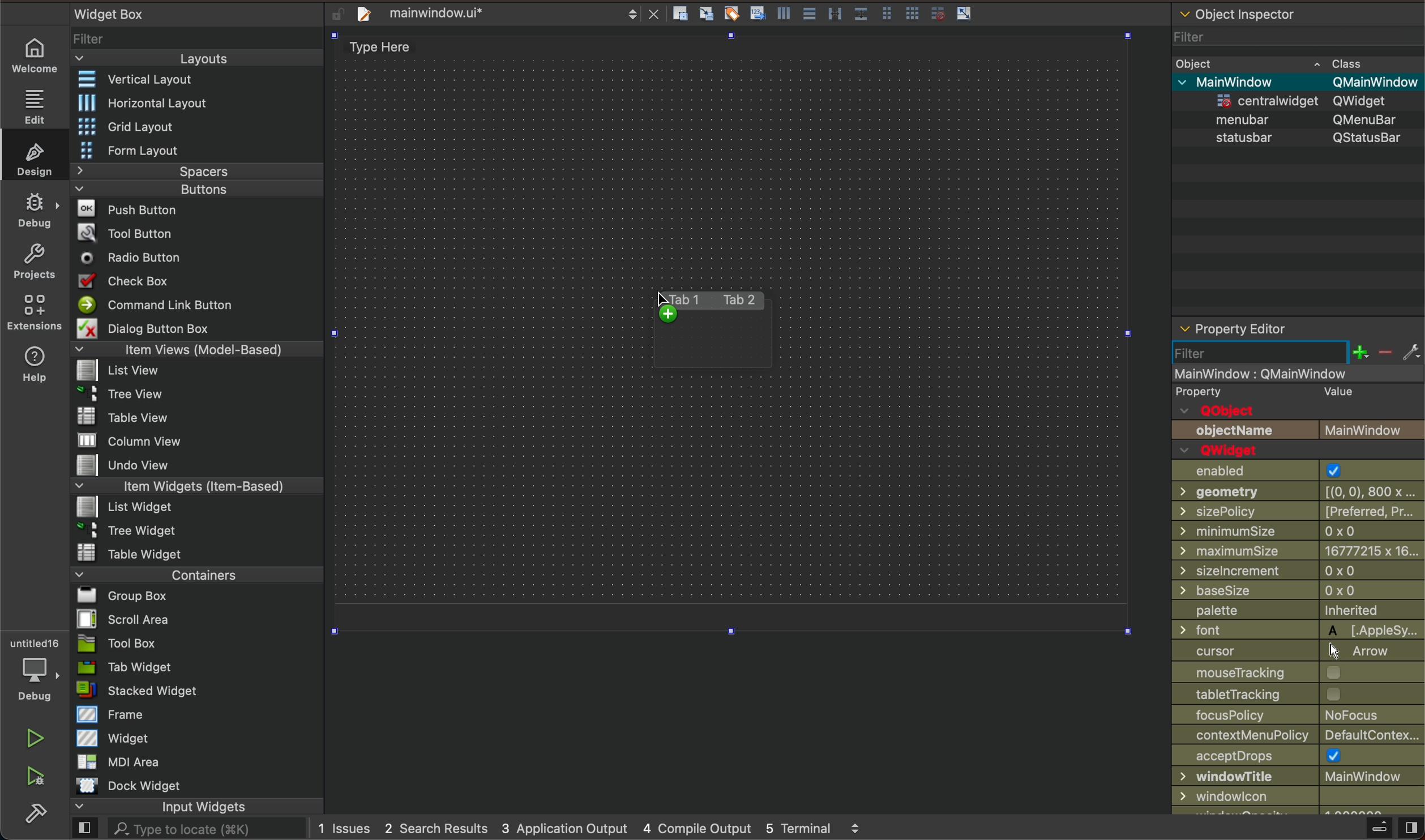  I want to click on object name and Qwidget, so click(1303, 440).